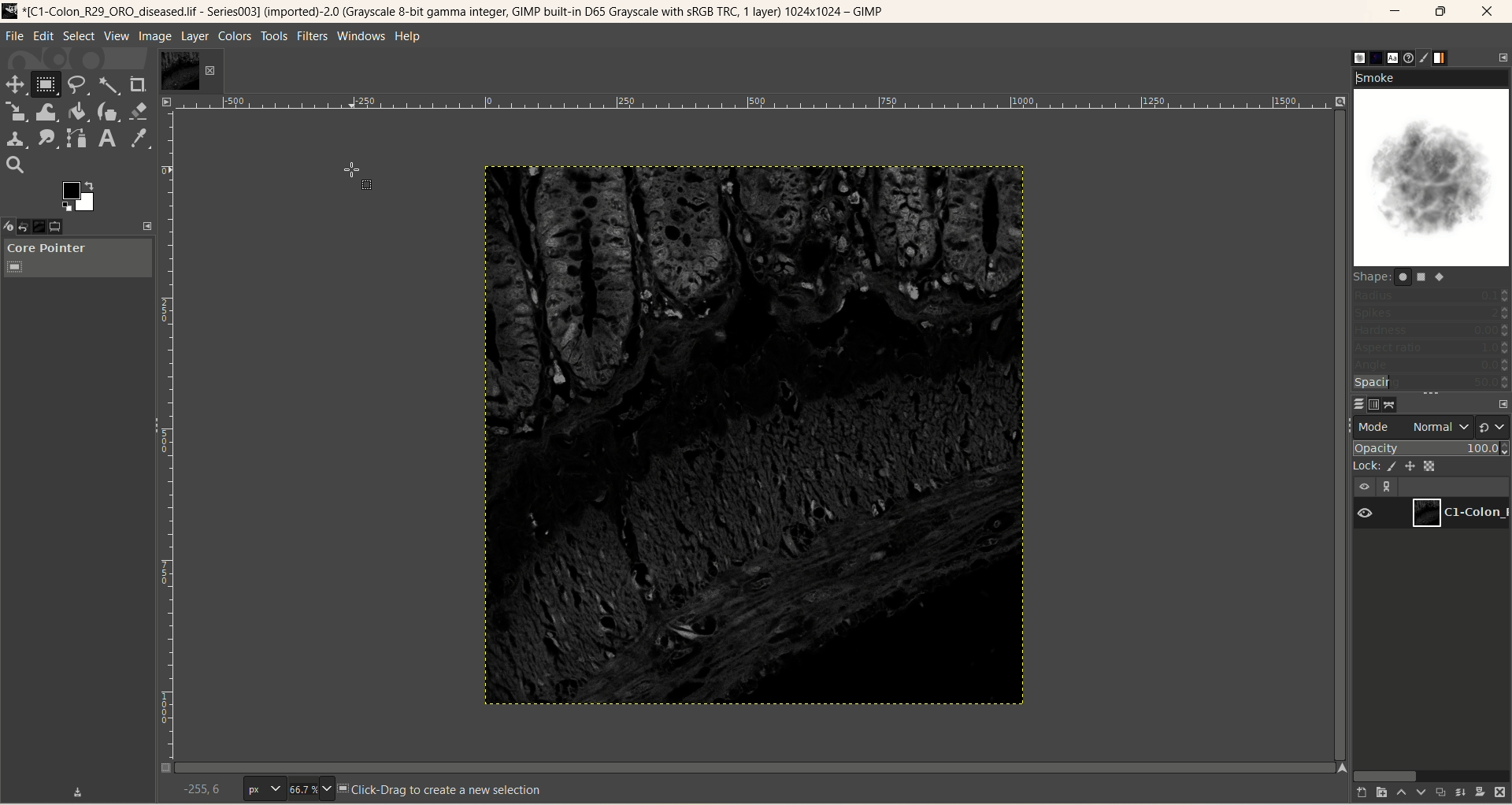 The image size is (1512, 805). Describe the element at coordinates (447, 791) in the screenshot. I see `click drag to create a new selection` at that location.